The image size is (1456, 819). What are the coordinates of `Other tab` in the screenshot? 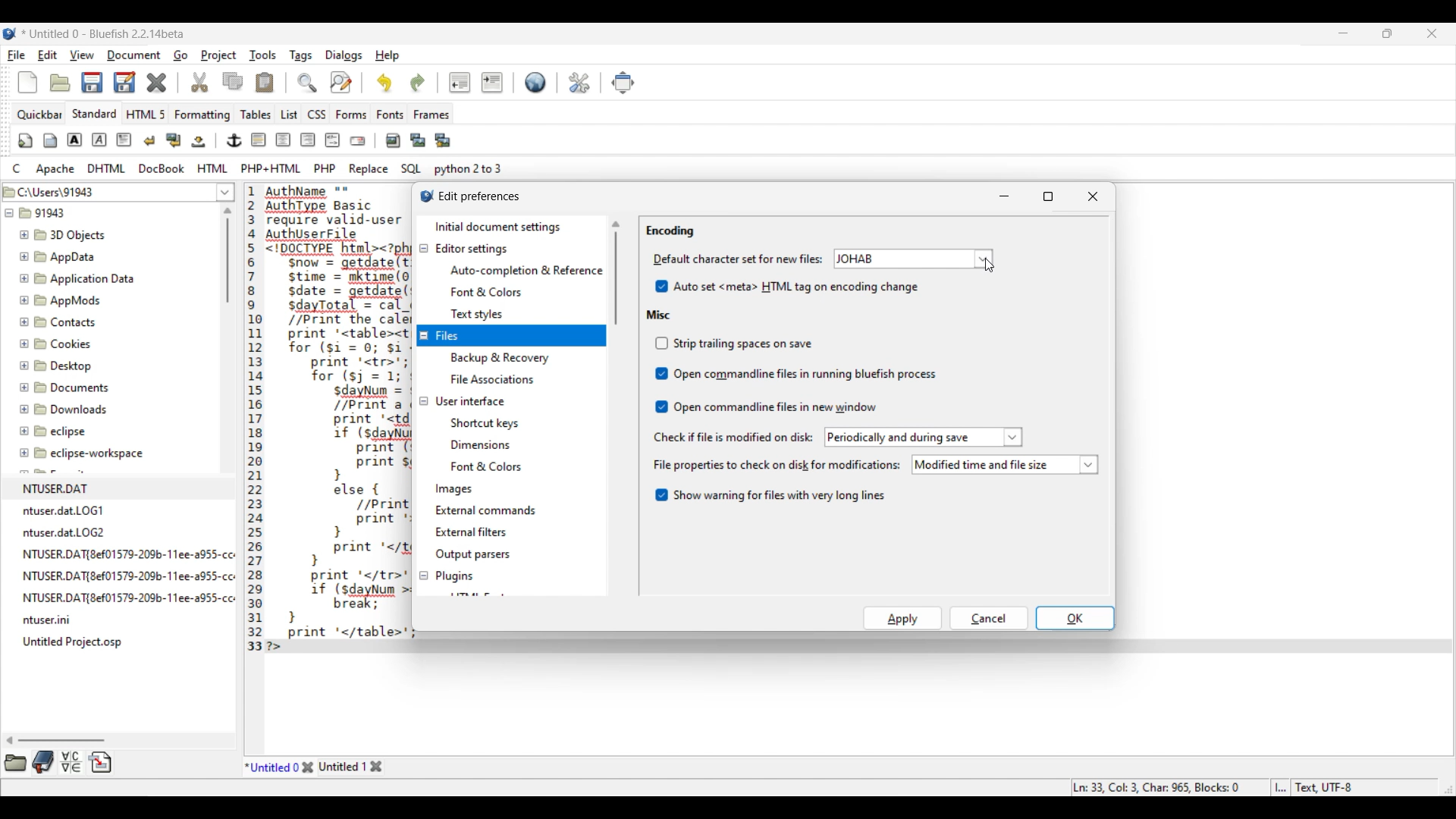 It's located at (350, 766).